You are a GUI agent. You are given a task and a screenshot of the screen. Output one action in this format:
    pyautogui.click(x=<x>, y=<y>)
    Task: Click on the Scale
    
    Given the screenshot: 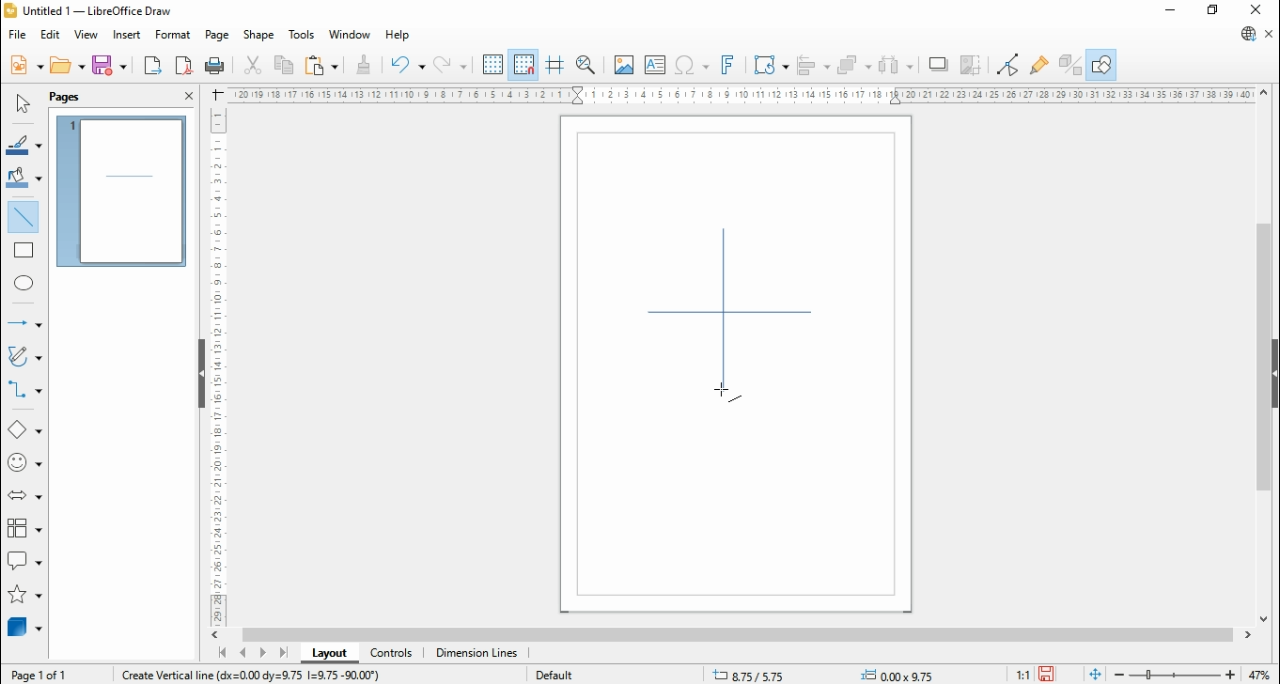 What is the action you would take?
    pyautogui.click(x=738, y=94)
    